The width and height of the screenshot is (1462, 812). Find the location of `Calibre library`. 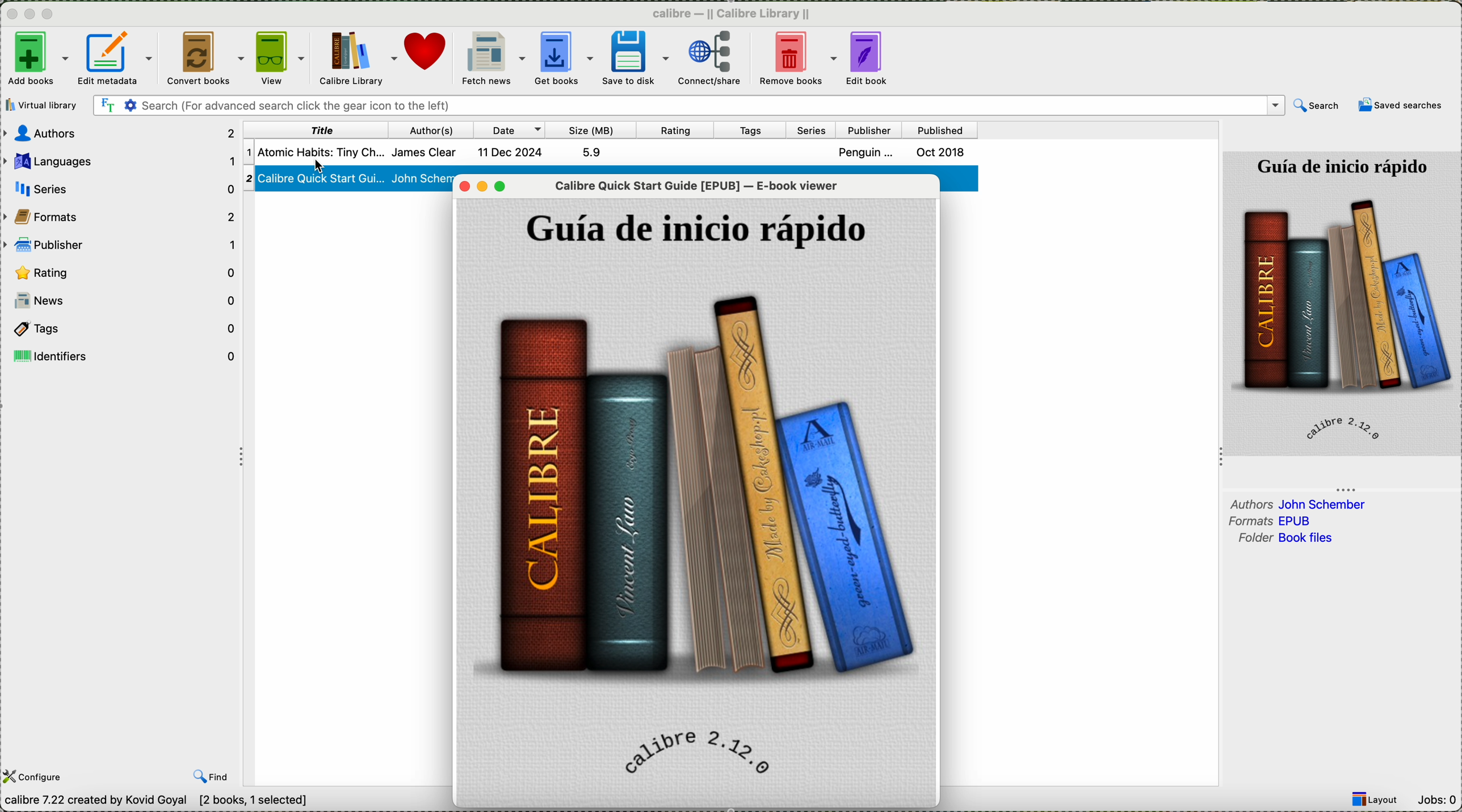

Calibre library is located at coordinates (359, 57).